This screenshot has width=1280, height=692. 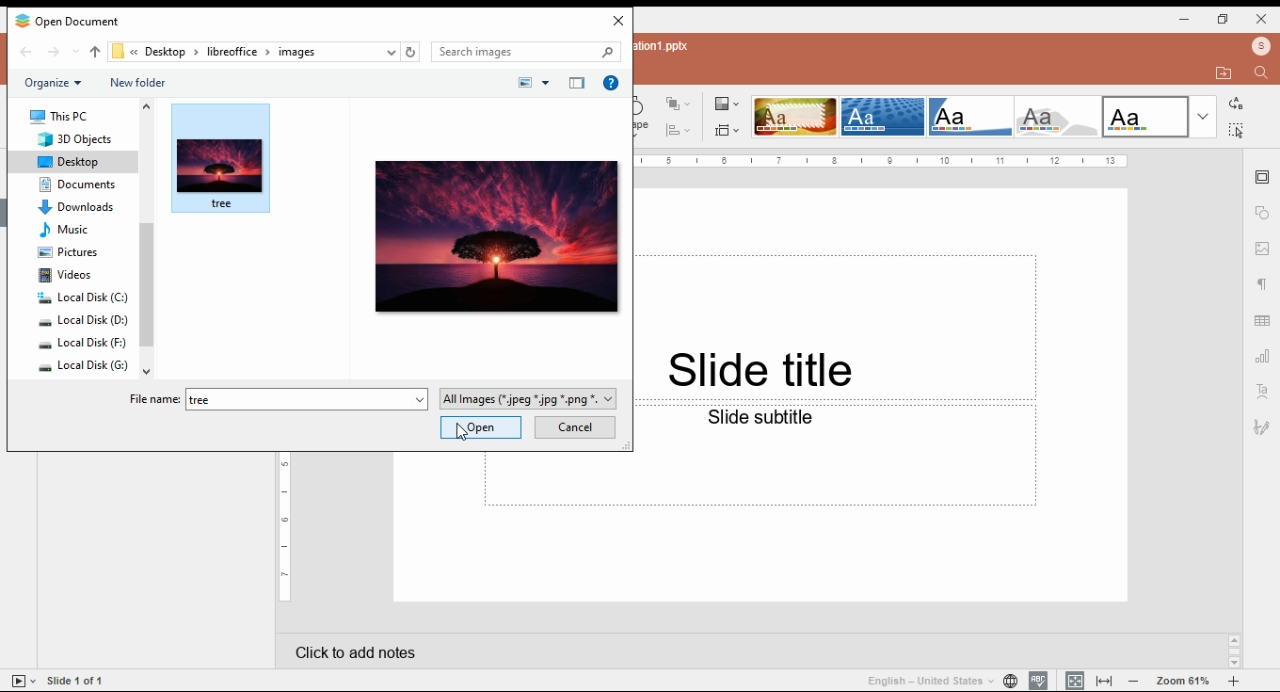 What do you see at coordinates (1235, 104) in the screenshot?
I see `replace` at bounding box center [1235, 104].